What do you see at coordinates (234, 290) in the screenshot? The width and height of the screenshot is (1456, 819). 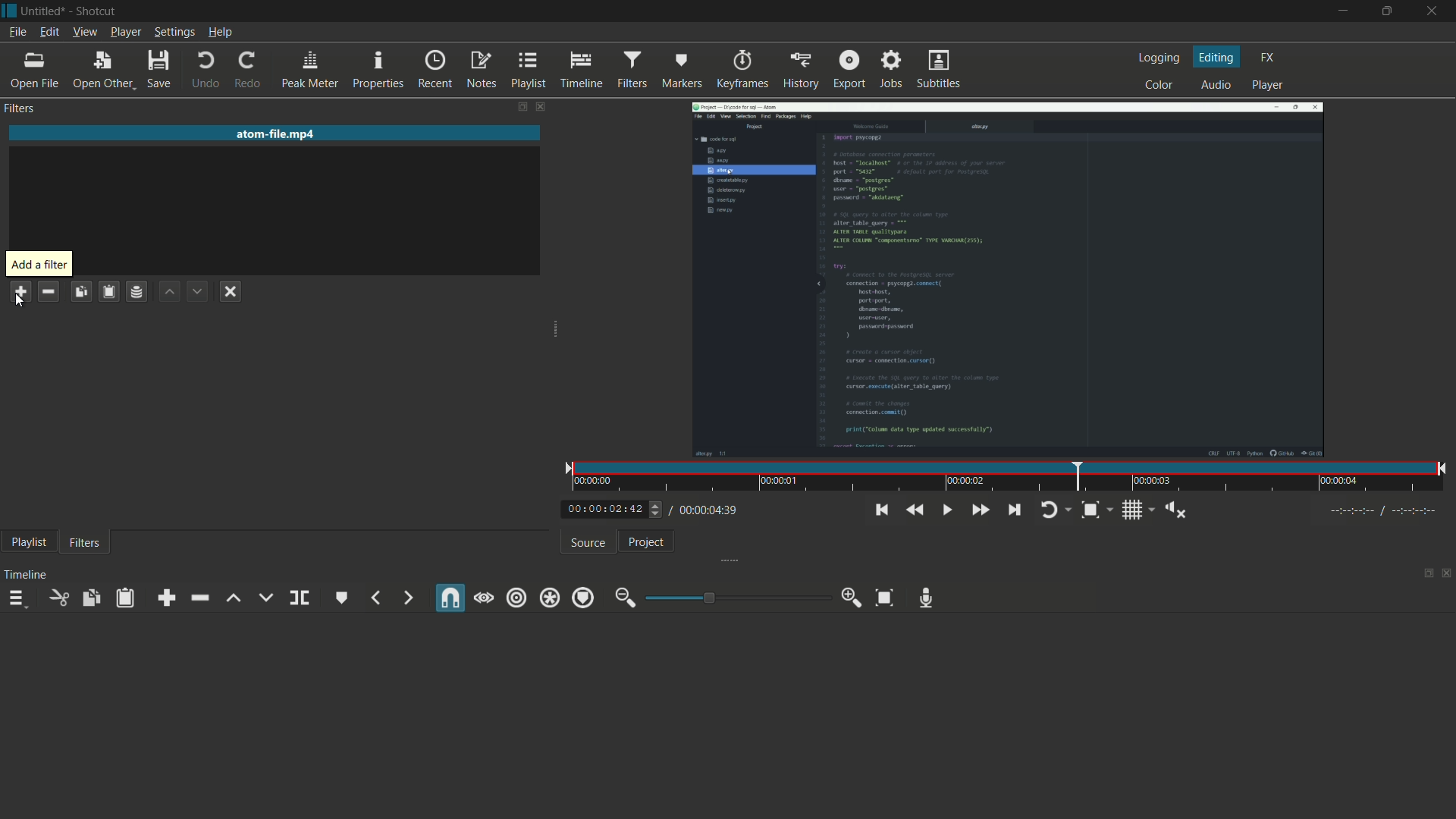 I see `deselect the filter` at bounding box center [234, 290].